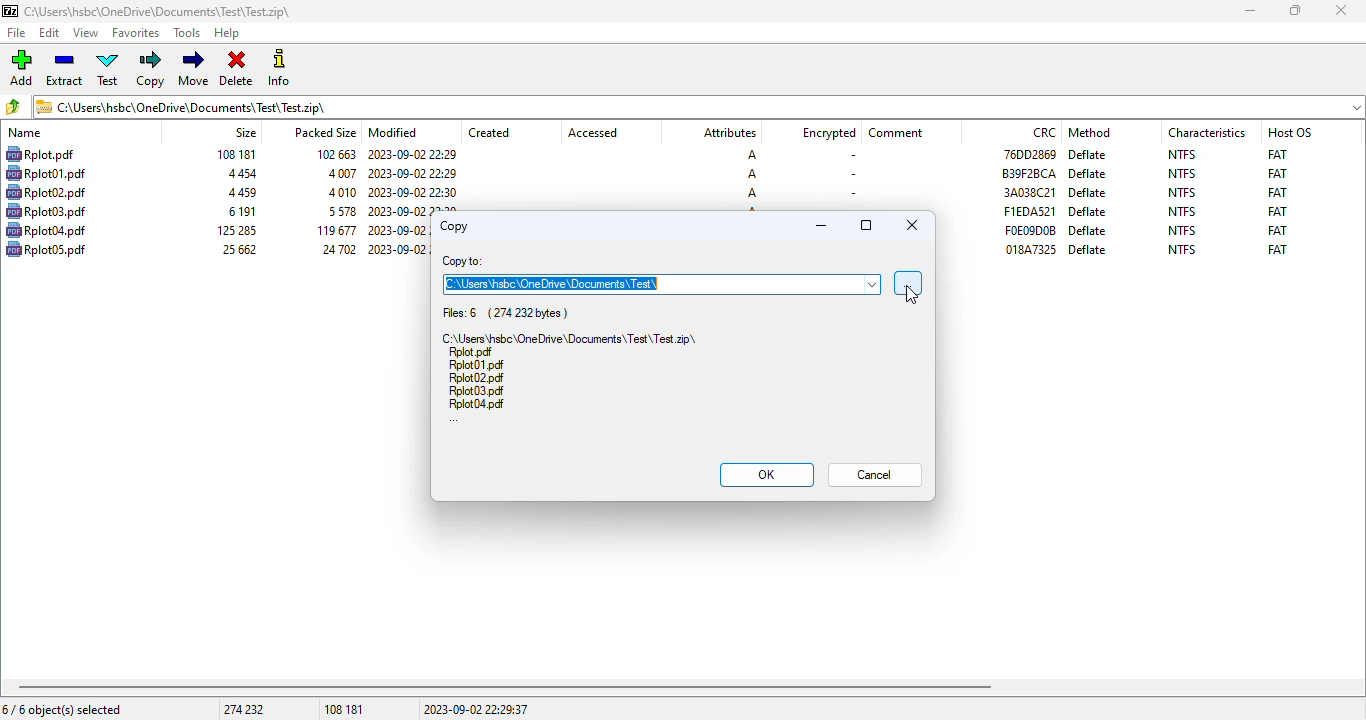 This screenshot has height=720, width=1366. I want to click on deflate, so click(1088, 174).